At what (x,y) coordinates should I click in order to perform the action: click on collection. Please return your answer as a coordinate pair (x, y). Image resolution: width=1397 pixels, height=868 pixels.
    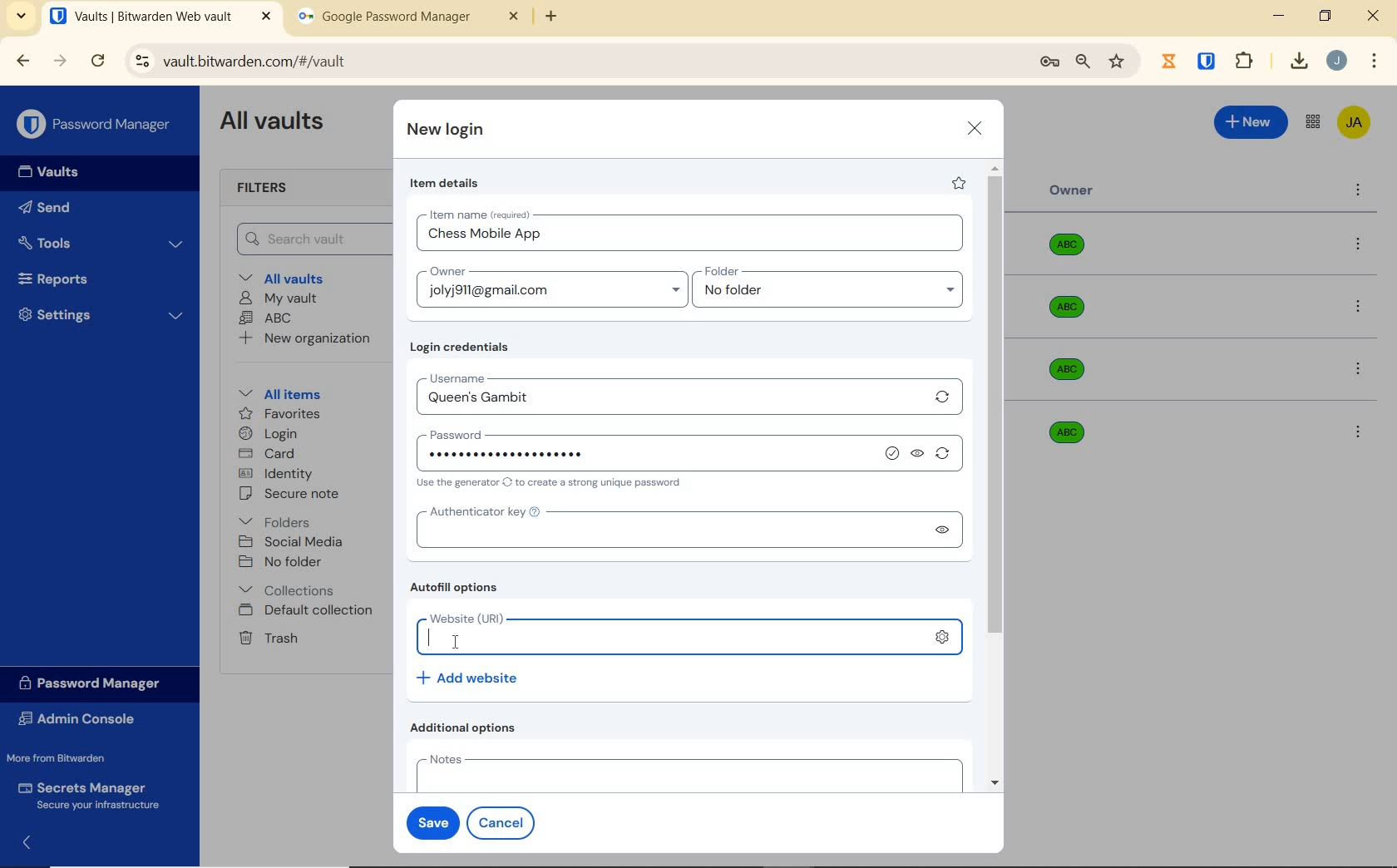
    Looking at the image, I should click on (288, 590).